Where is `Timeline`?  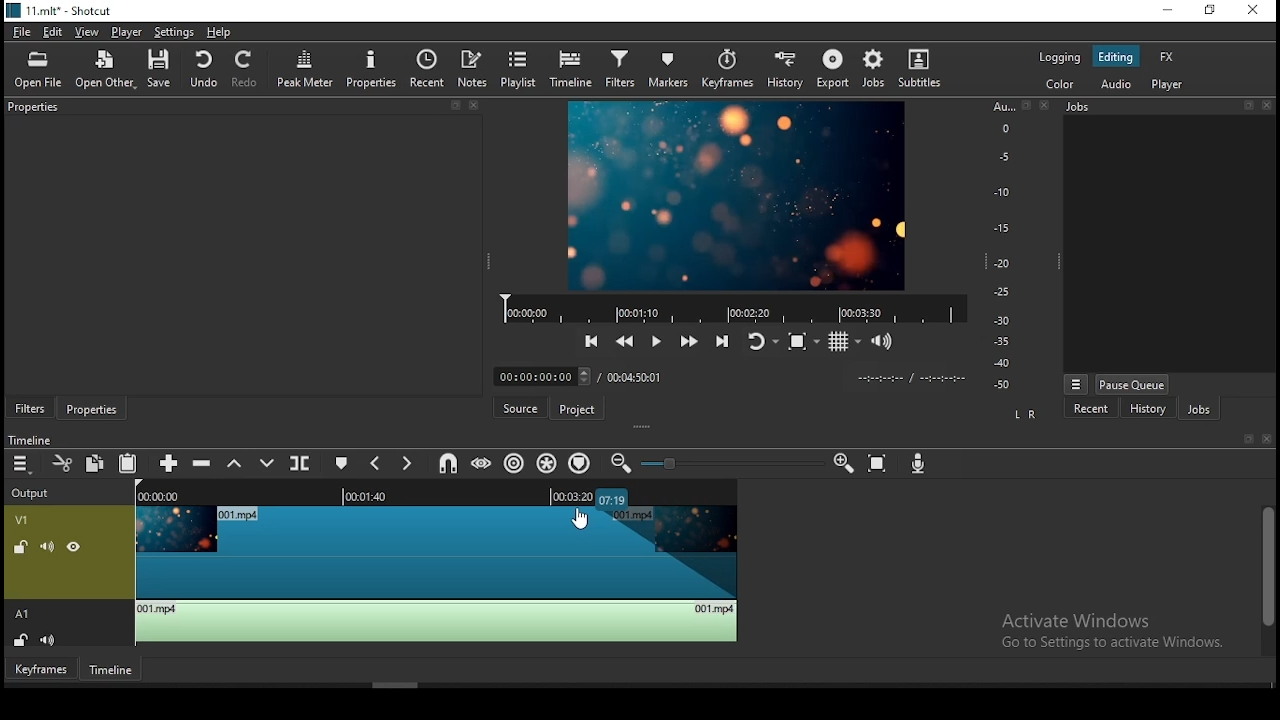
Timeline is located at coordinates (31, 438).